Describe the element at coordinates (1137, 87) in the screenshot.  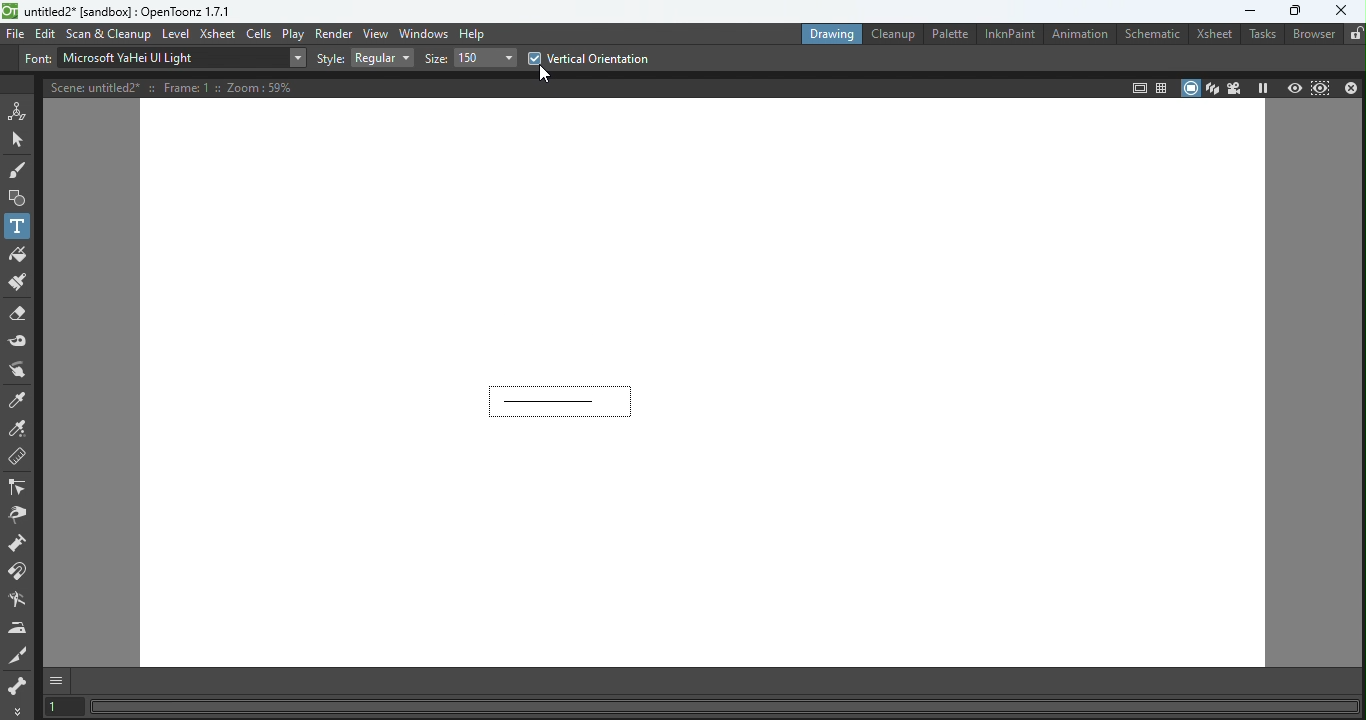
I see `Safe area` at that location.